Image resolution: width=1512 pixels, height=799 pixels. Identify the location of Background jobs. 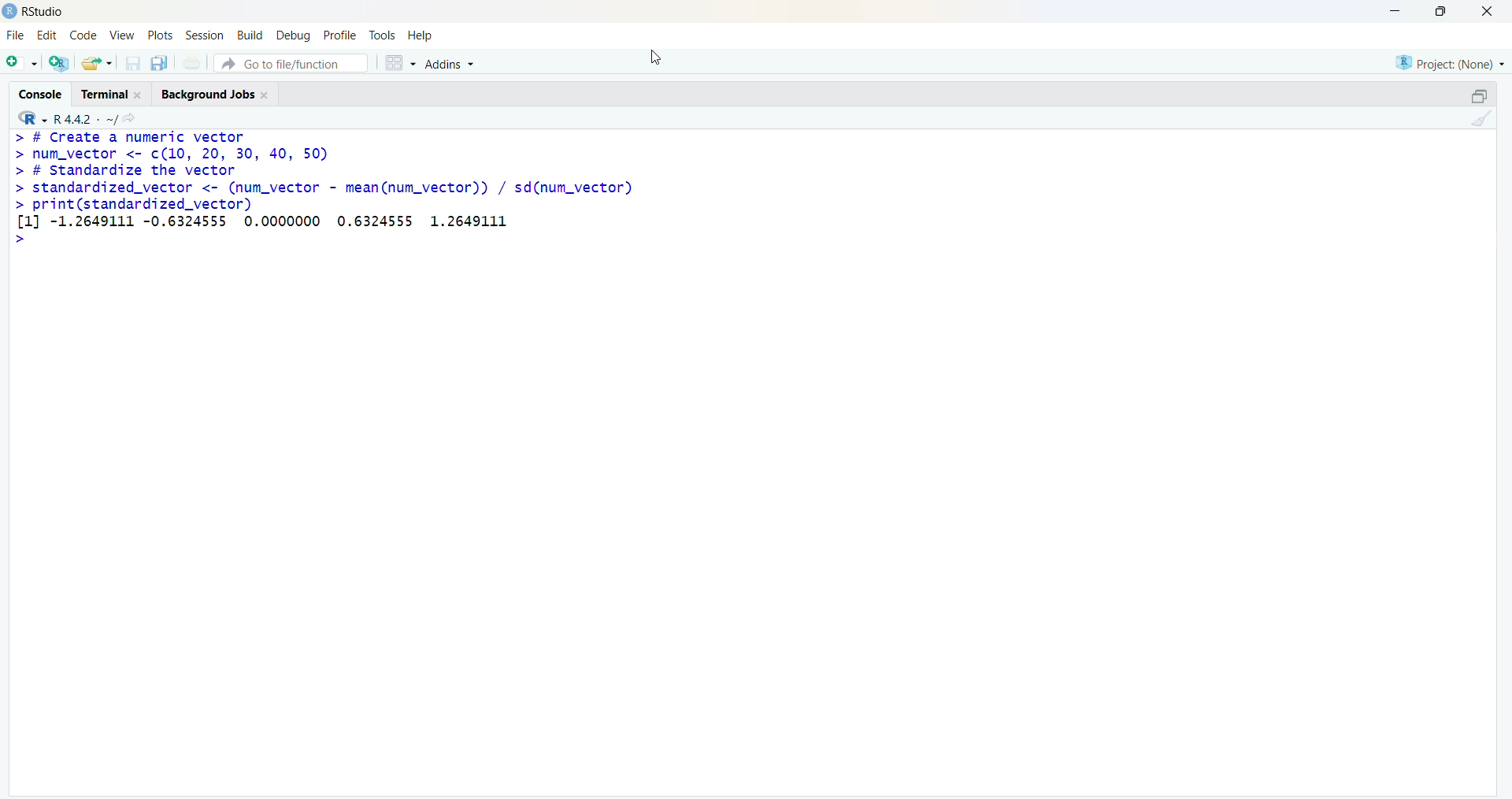
(208, 95).